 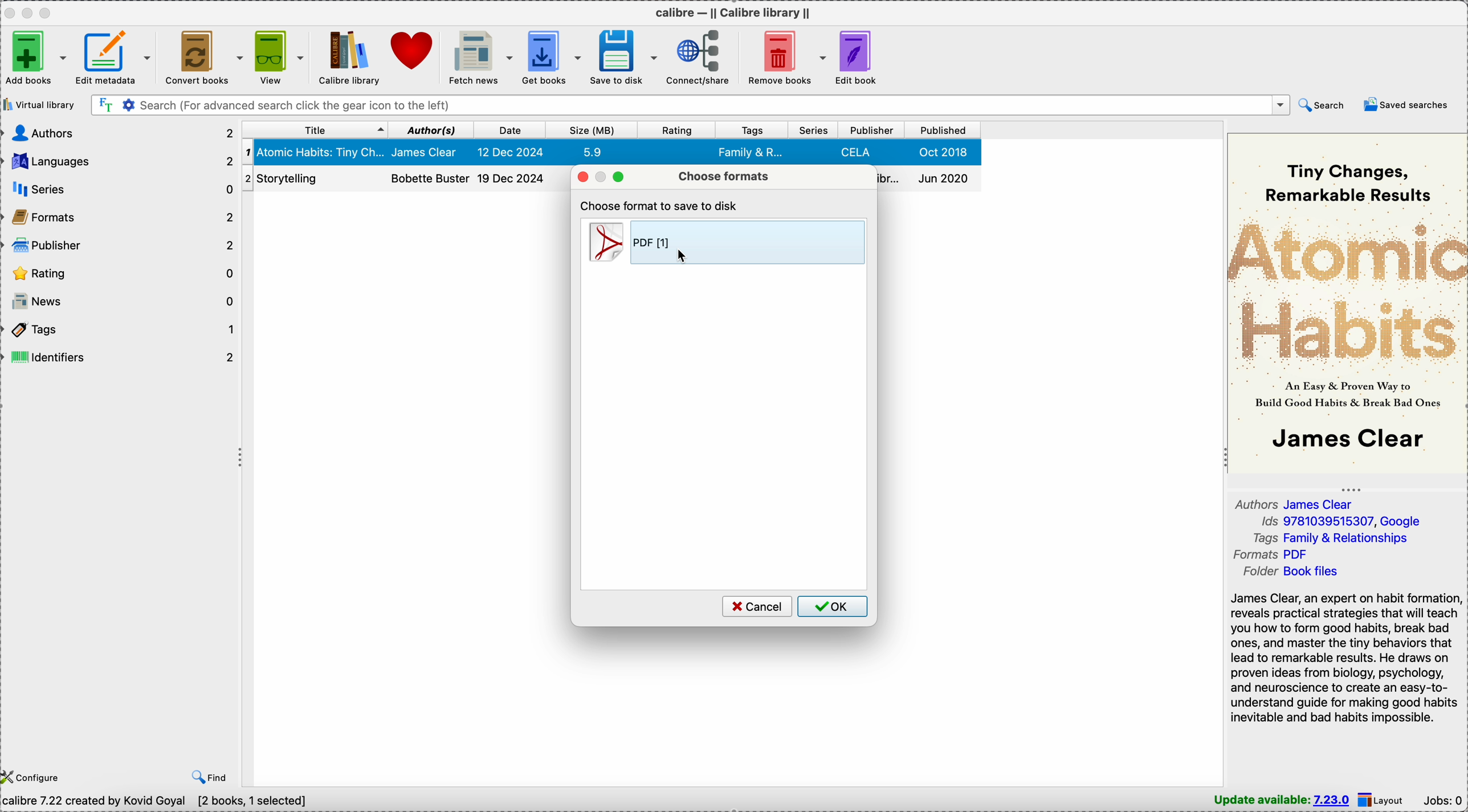 I want to click on authors, so click(x=119, y=132).